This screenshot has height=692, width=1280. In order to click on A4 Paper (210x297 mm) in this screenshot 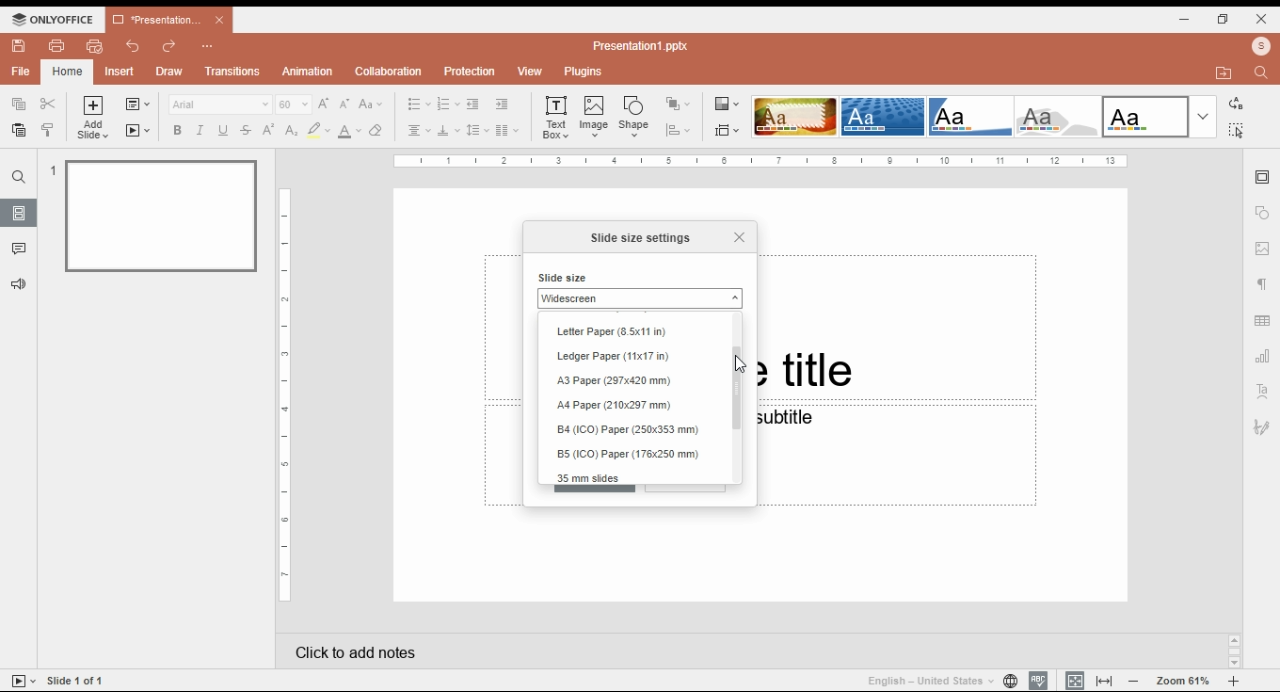, I will do `click(618, 406)`.